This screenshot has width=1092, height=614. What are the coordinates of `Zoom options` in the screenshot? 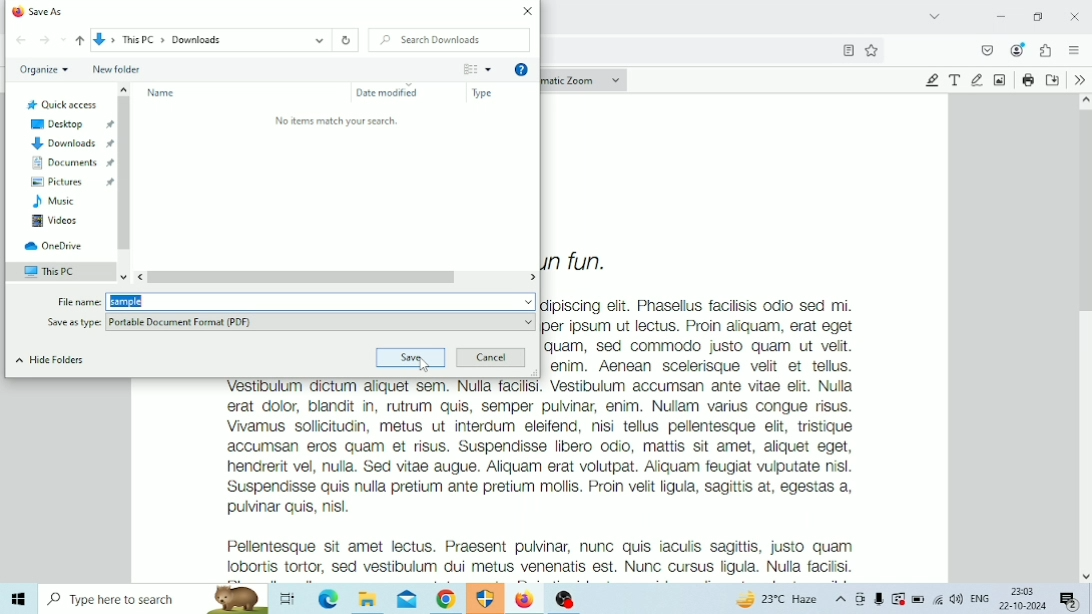 It's located at (585, 80).